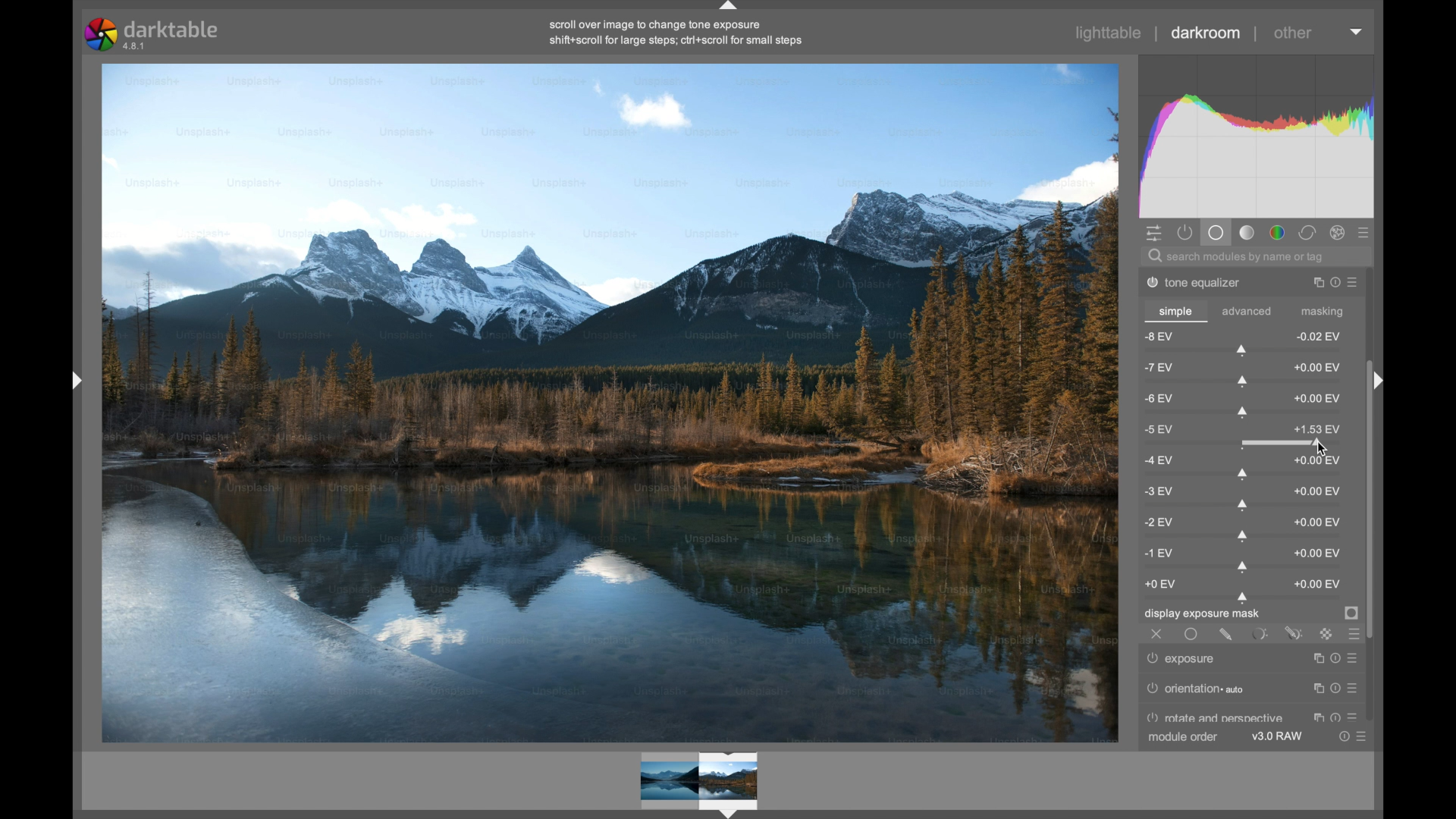 The height and width of the screenshot is (819, 1456). What do you see at coordinates (1160, 399) in the screenshot?
I see `-6 ev` at bounding box center [1160, 399].